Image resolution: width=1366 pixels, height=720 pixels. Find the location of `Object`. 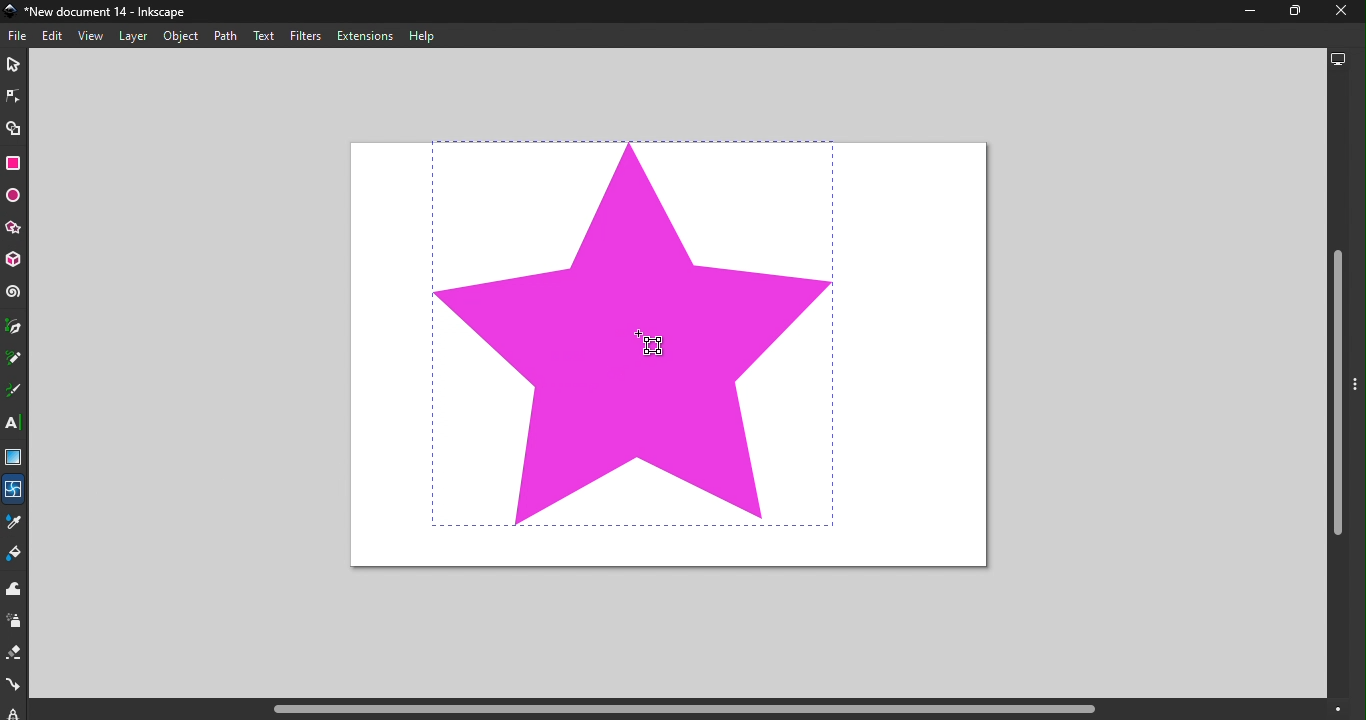

Object is located at coordinates (181, 35).